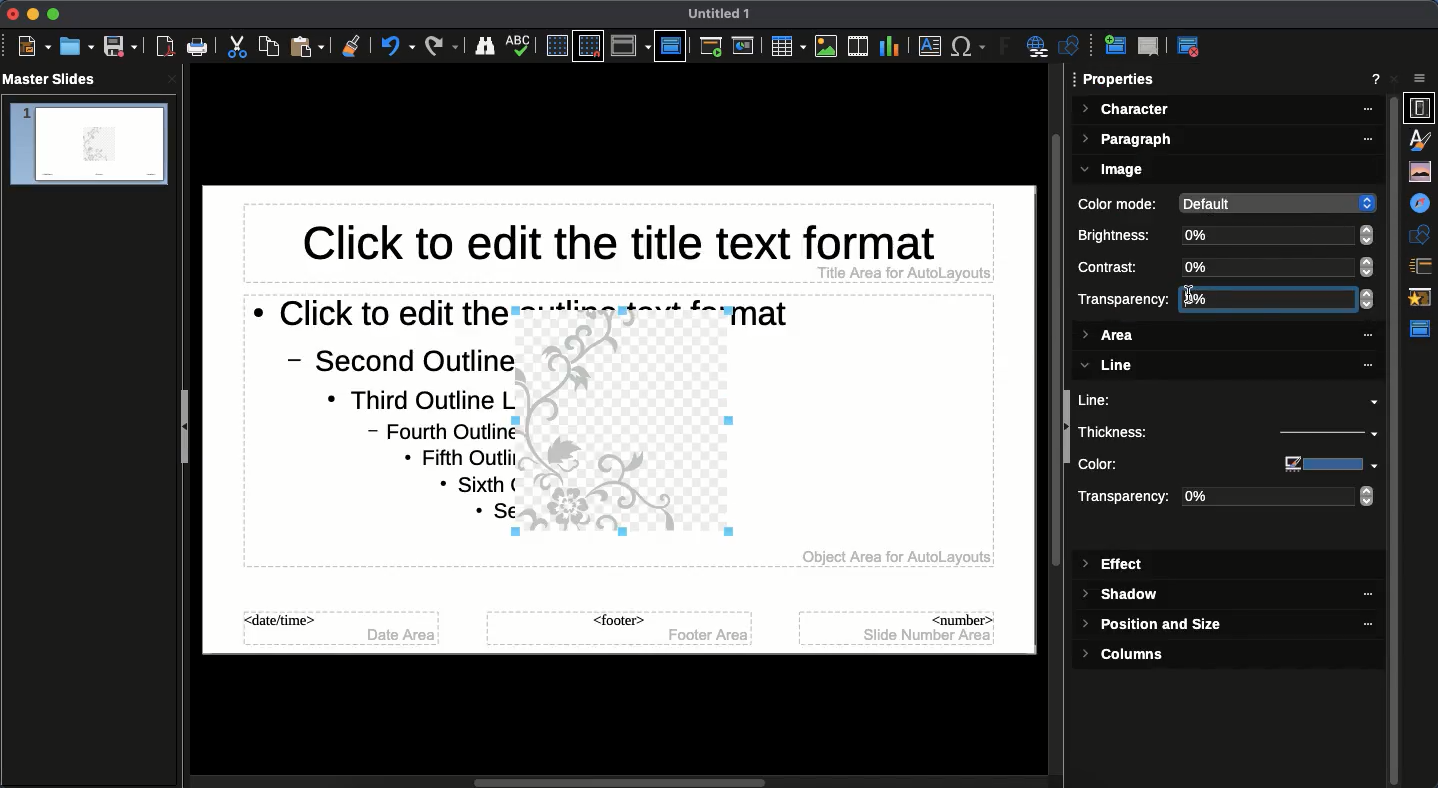  I want to click on Master slide date time, so click(342, 632).